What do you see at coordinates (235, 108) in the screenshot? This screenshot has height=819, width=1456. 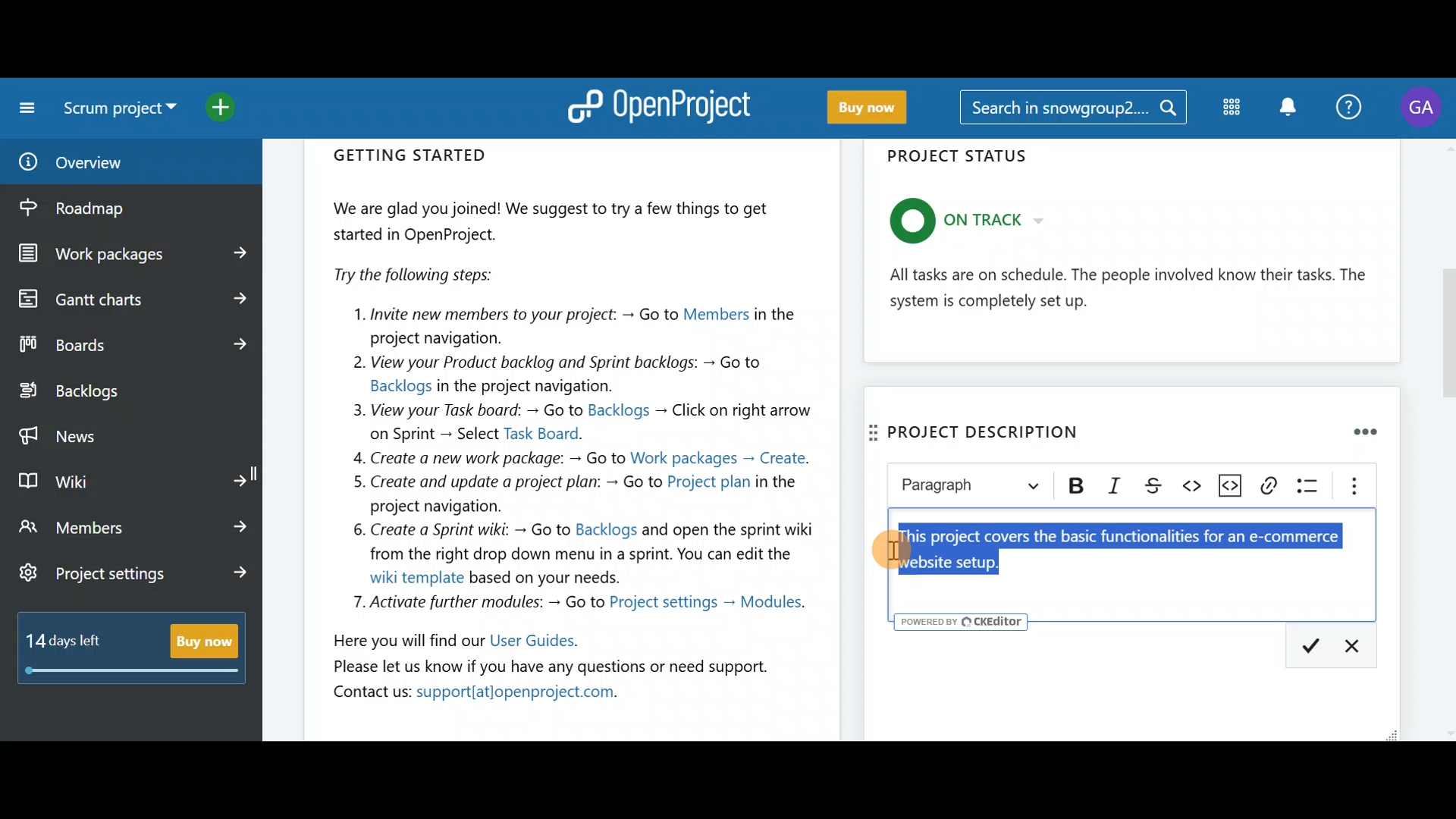 I see `Open quick add menu` at bounding box center [235, 108].